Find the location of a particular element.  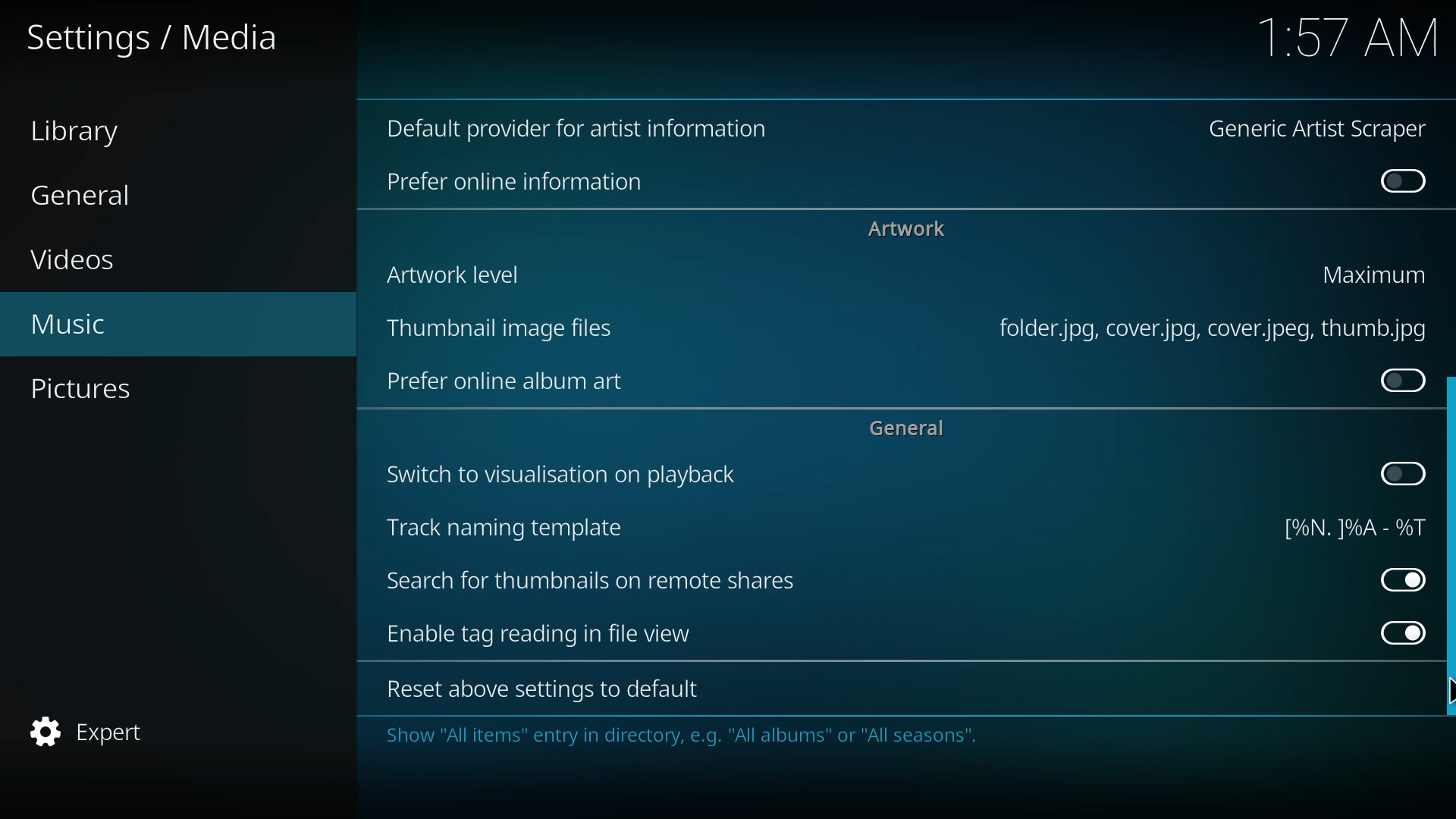

reset to default is located at coordinates (535, 691).